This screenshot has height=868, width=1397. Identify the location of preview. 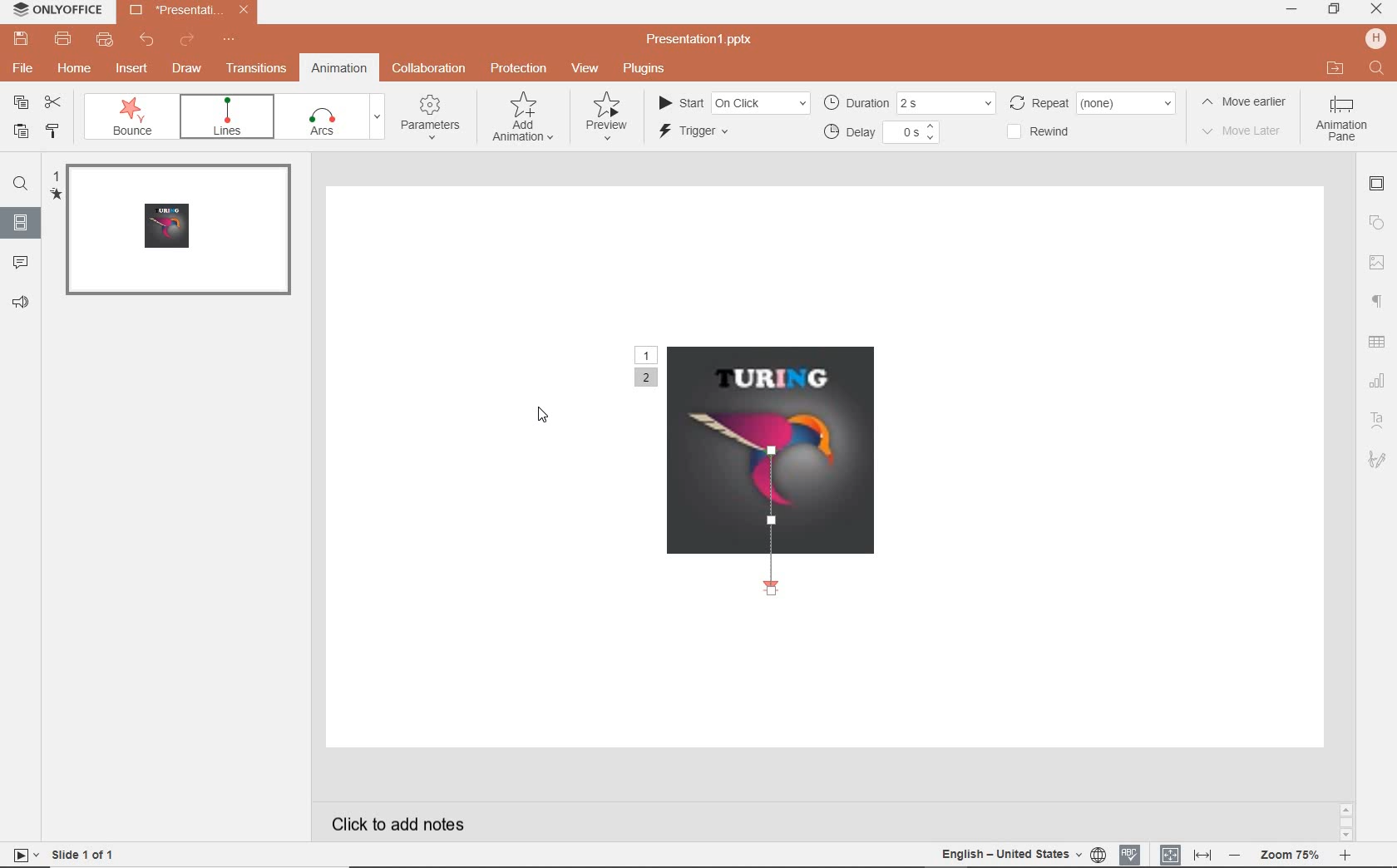
(610, 117).